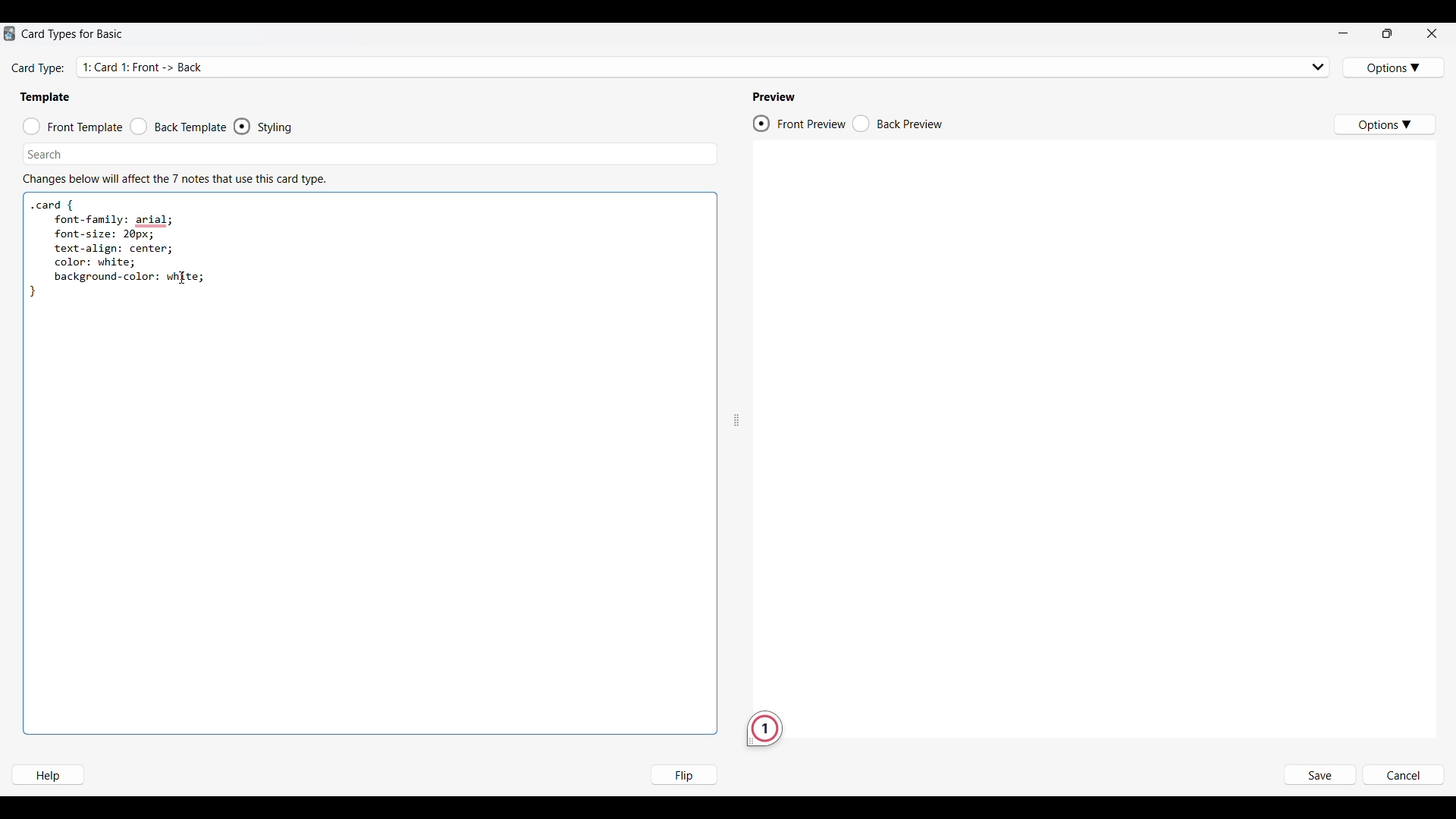  Describe the element at coordinates (178, 127) in the screenshot. I see `Back template` at that location.